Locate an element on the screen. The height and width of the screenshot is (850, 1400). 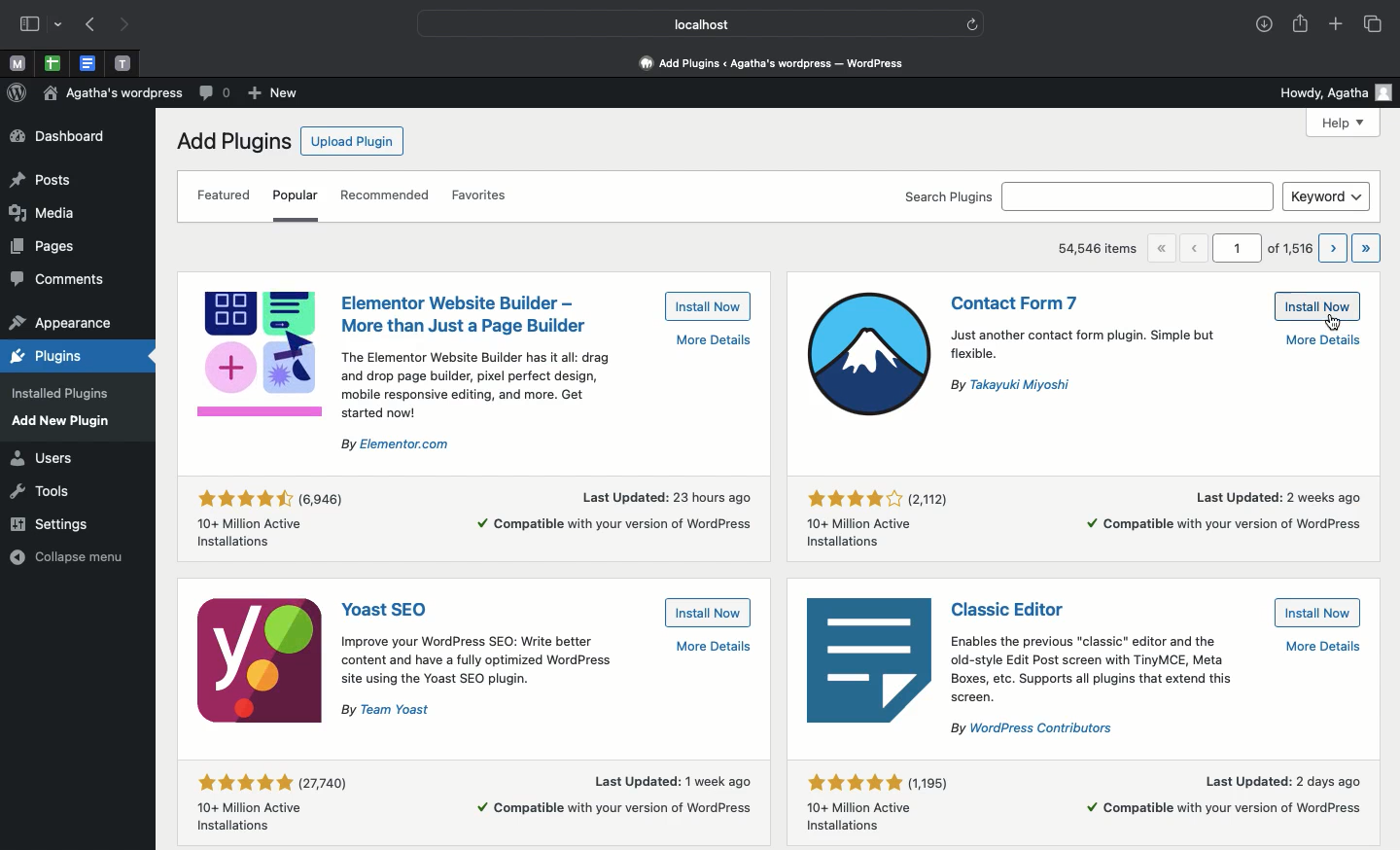
More details is located at coordinates (714, 648).